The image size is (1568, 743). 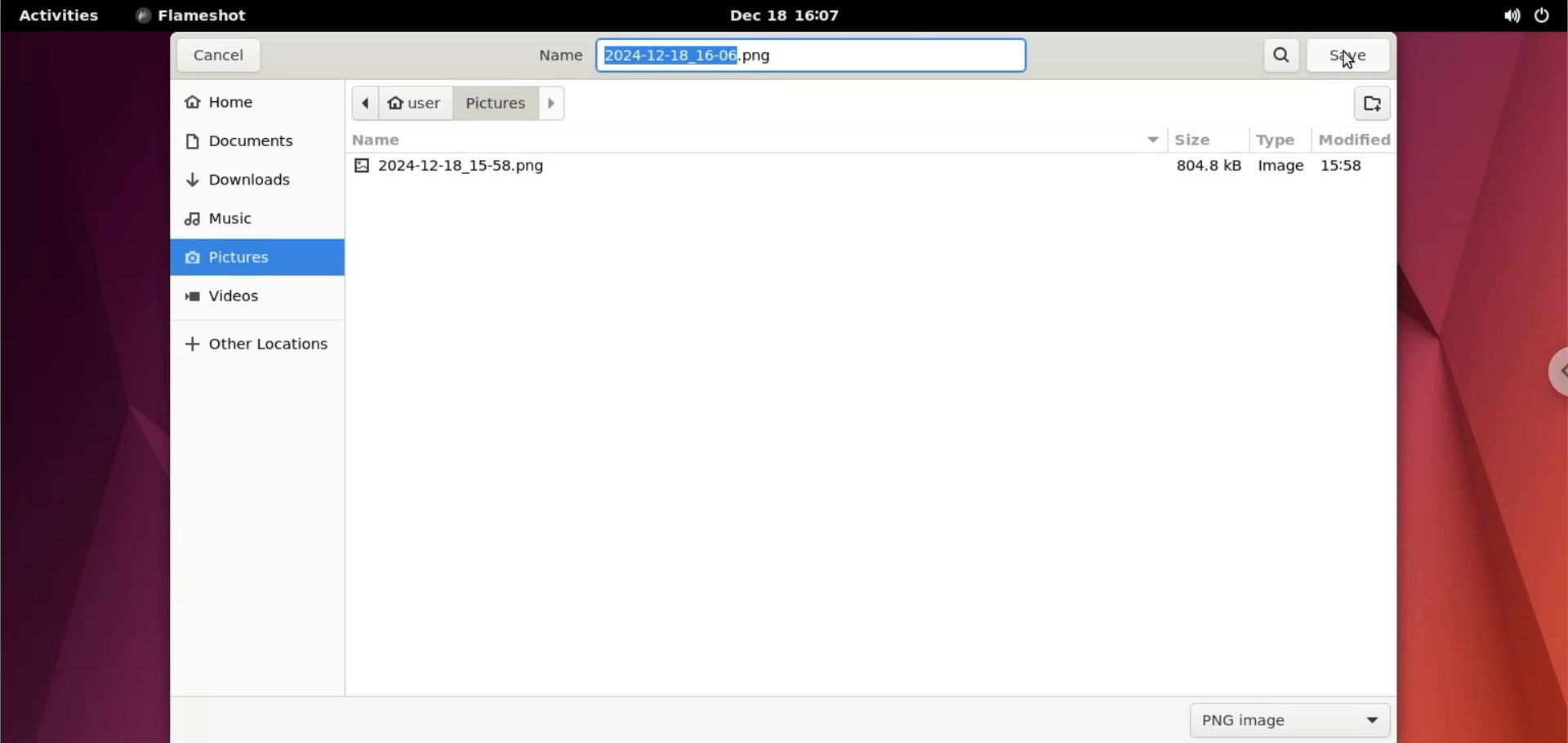 What do you see at coordinates (1354, 138) in the screenshot?
I see `modified date label` at bounding box center [1354, 138].